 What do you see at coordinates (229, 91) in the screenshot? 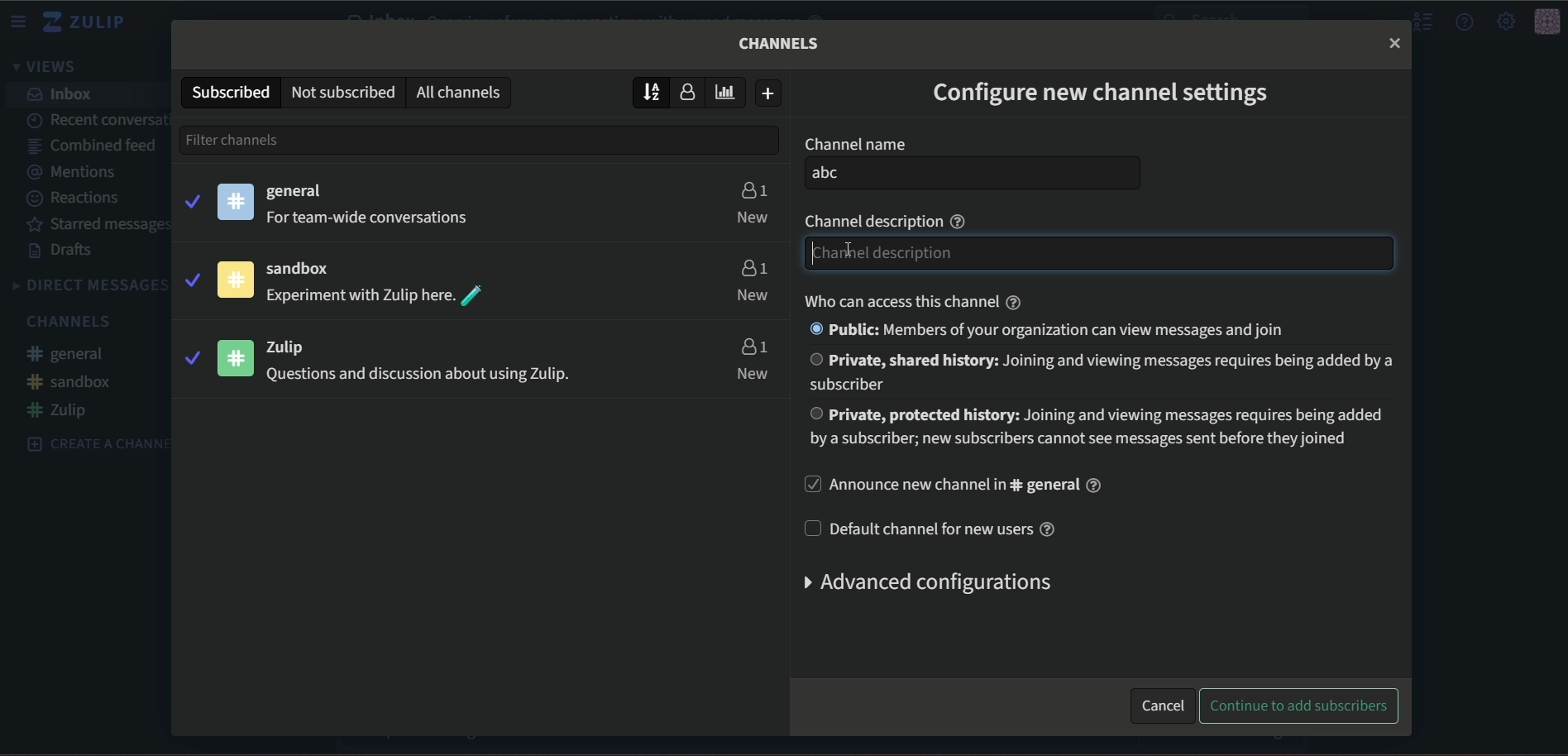
I see `subscribed` at bounding box center [229, 91].